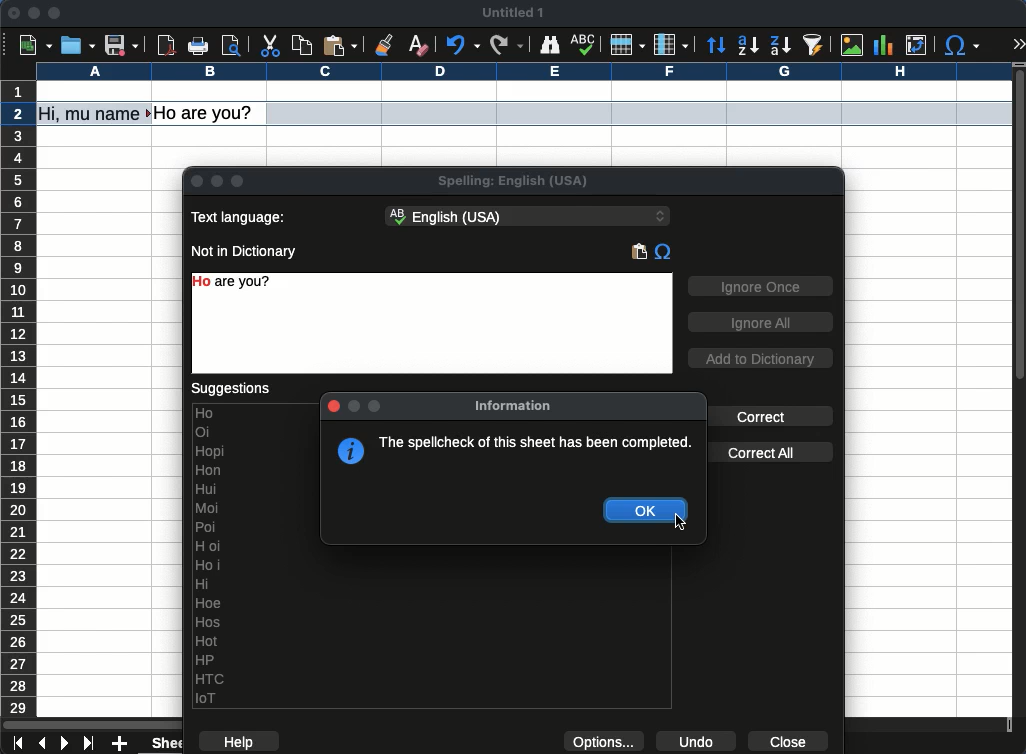 This screenshot has height=754, width=1026. What do you see at coordinates (528, 217) in the screenshot?
I see `English (USA) - language` at bounding box center [528, 217].